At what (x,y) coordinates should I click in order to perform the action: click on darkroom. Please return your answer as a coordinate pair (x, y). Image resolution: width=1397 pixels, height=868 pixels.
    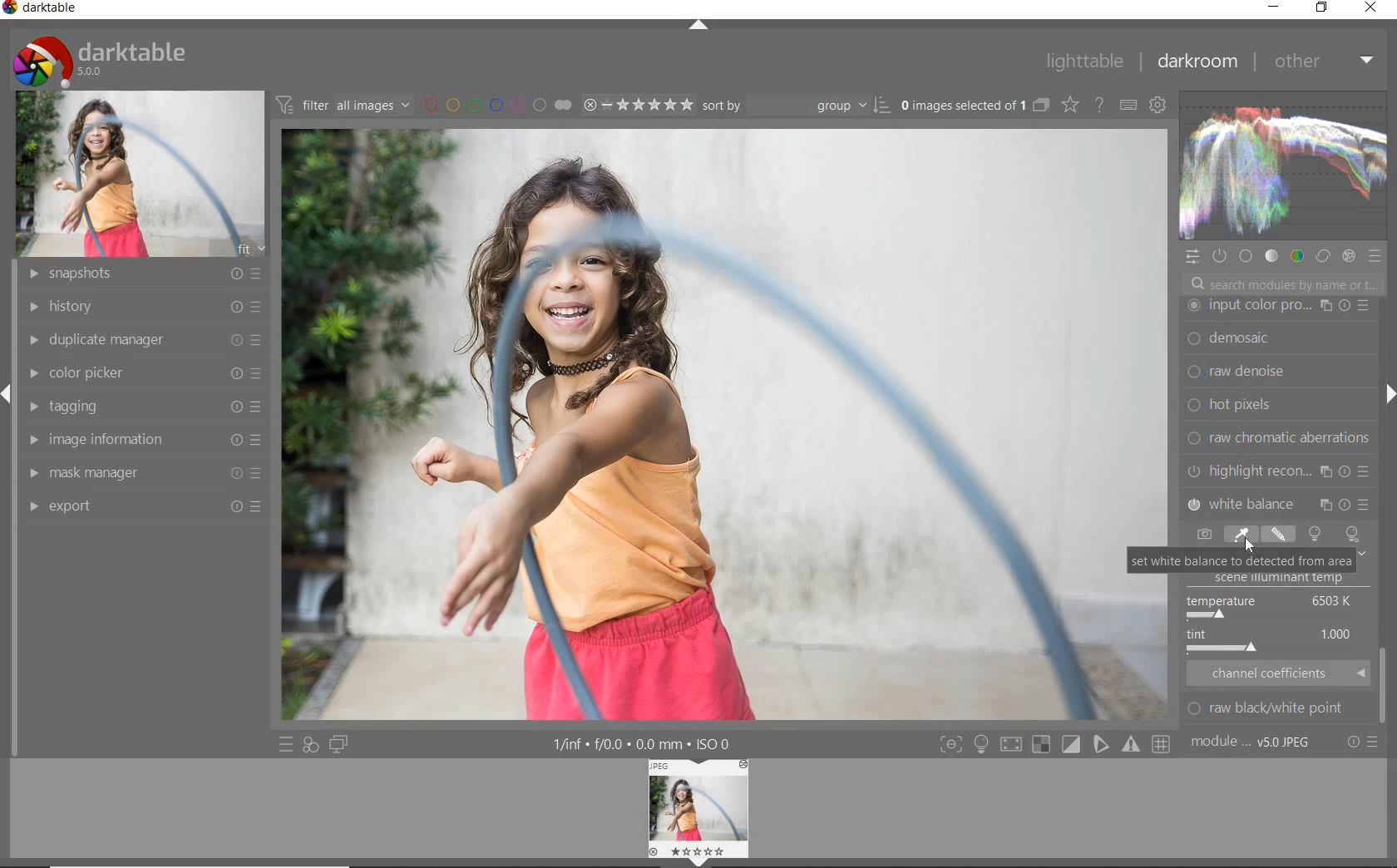
    Looking at the image, I should click on (1200, 62).